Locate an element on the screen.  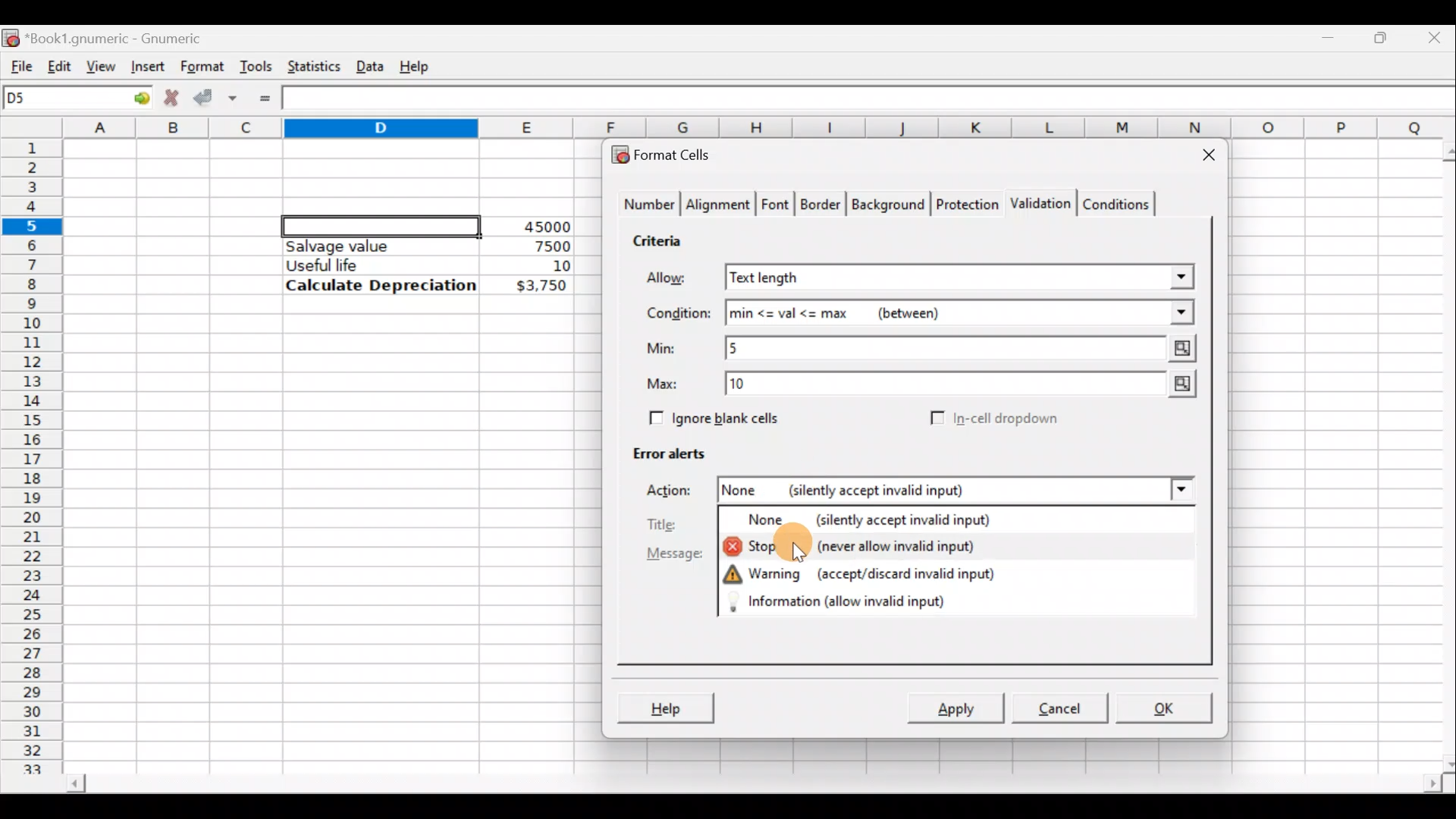
View is located at coordinates (102, 65).